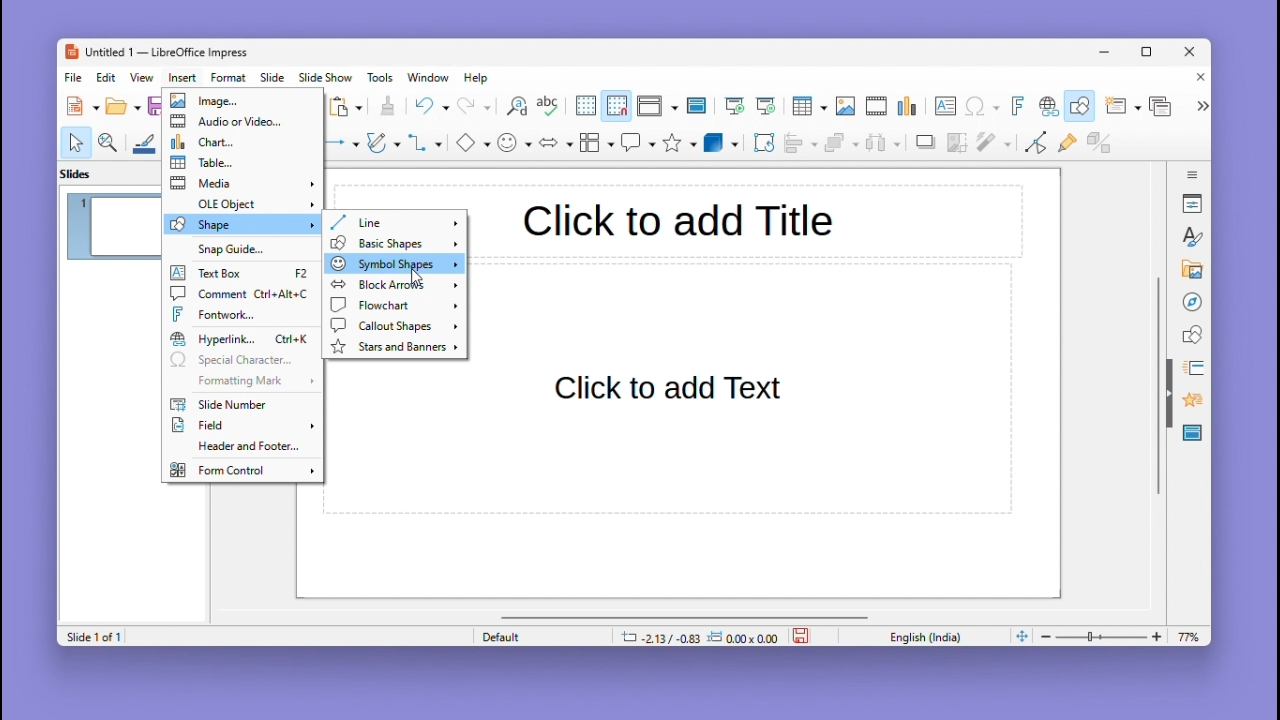  Describe the element at coordinates (1189, 270) in the screenshot. I see `Gallery` at that location.